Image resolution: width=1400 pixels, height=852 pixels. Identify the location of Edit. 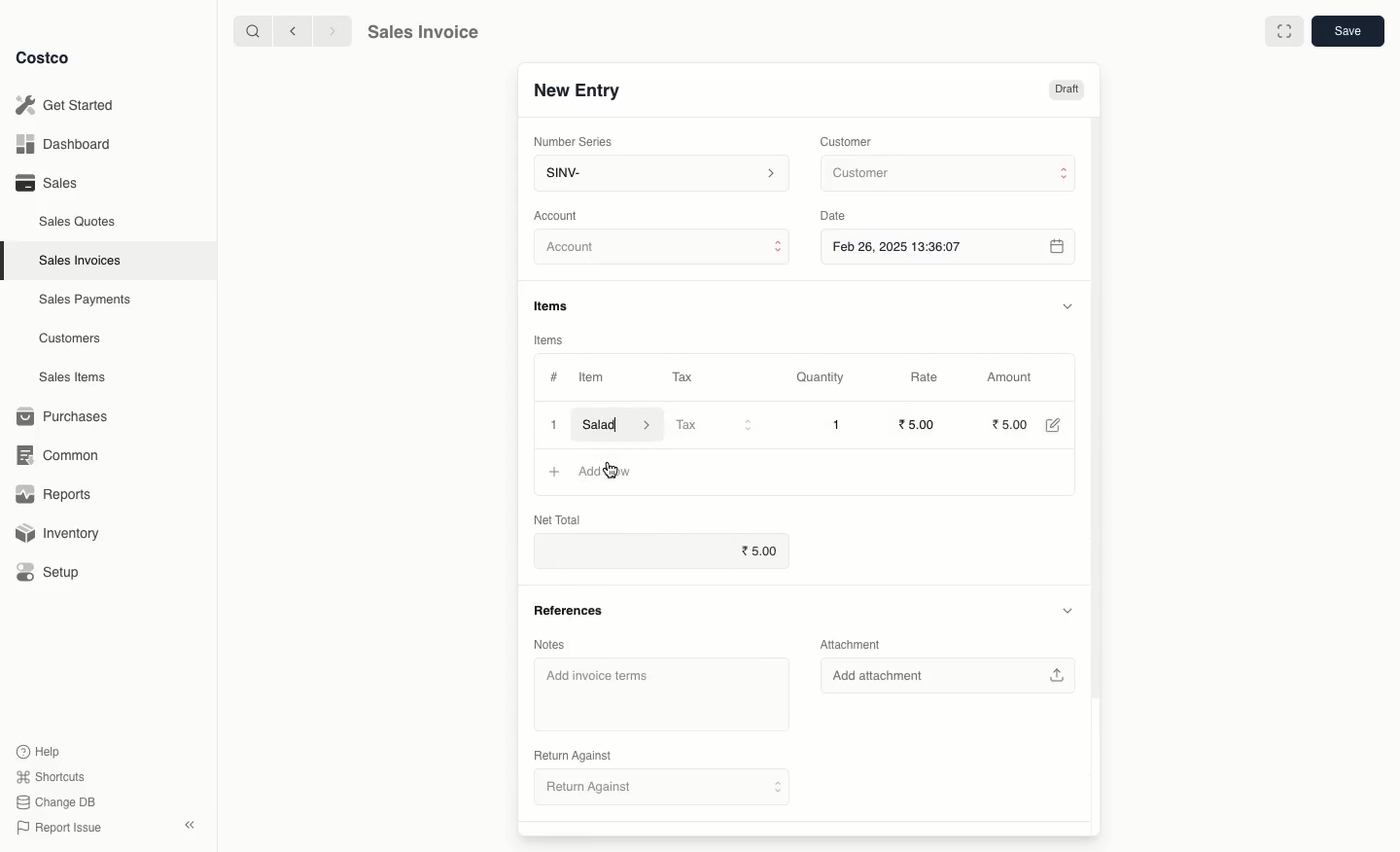
(1052, 424).